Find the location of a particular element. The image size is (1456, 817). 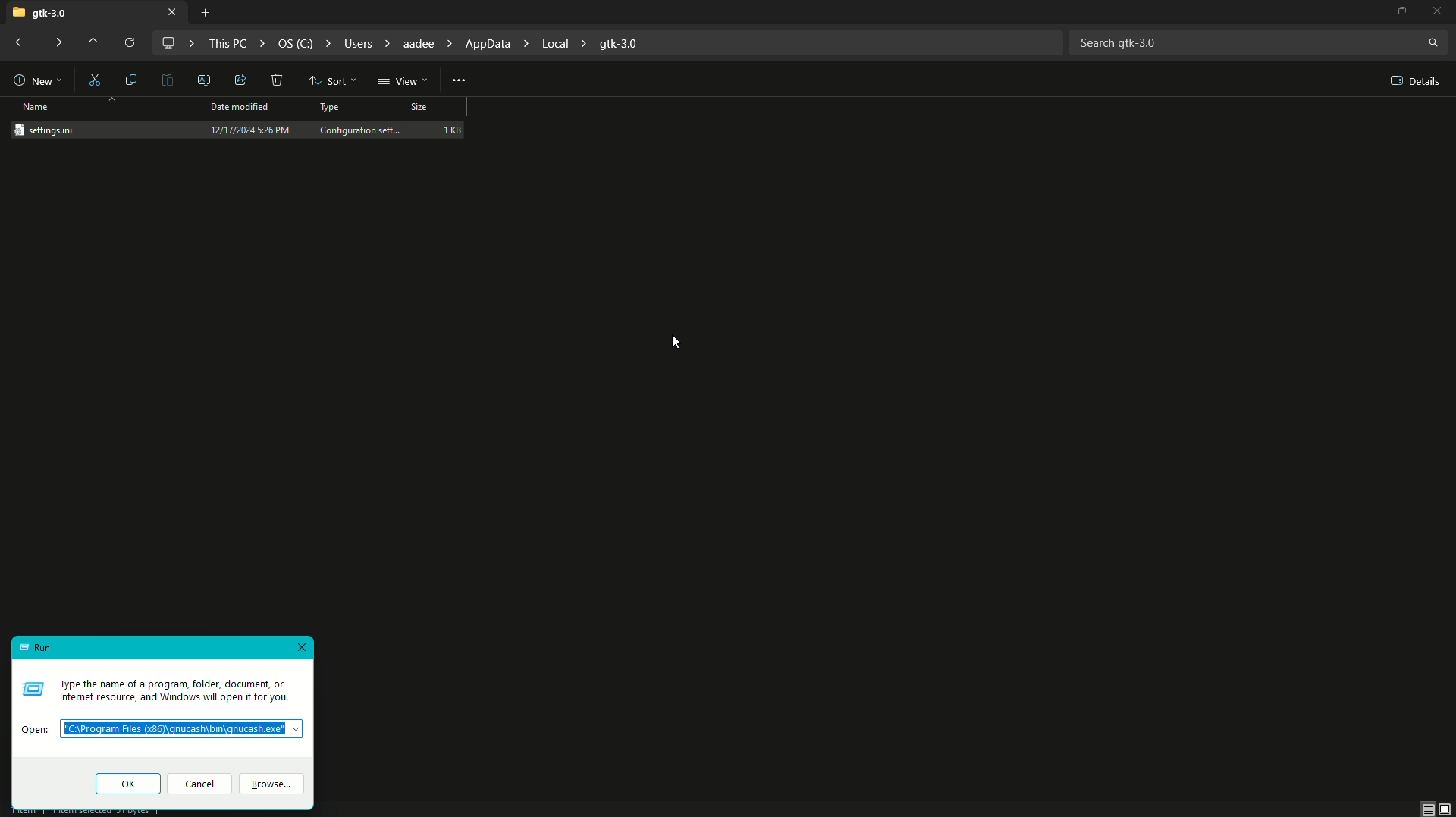

Move up is located at coordinates (91, 44).